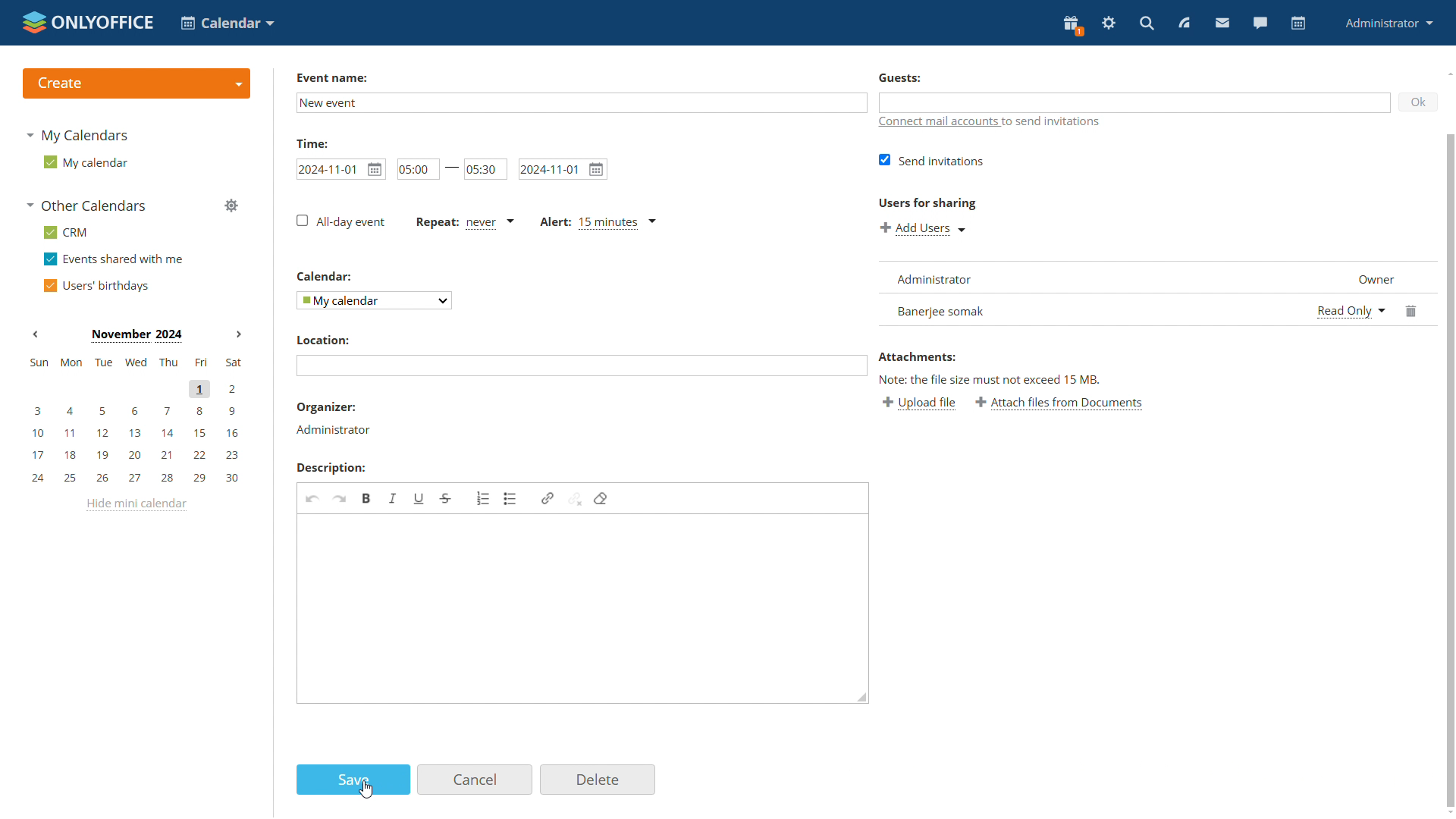 Image resolution: width=1456 pixels, height=819 pixels. What do you see at coordinates (231, 206) in the screenshot?
I see `manage` at bounding box center [231, 206].